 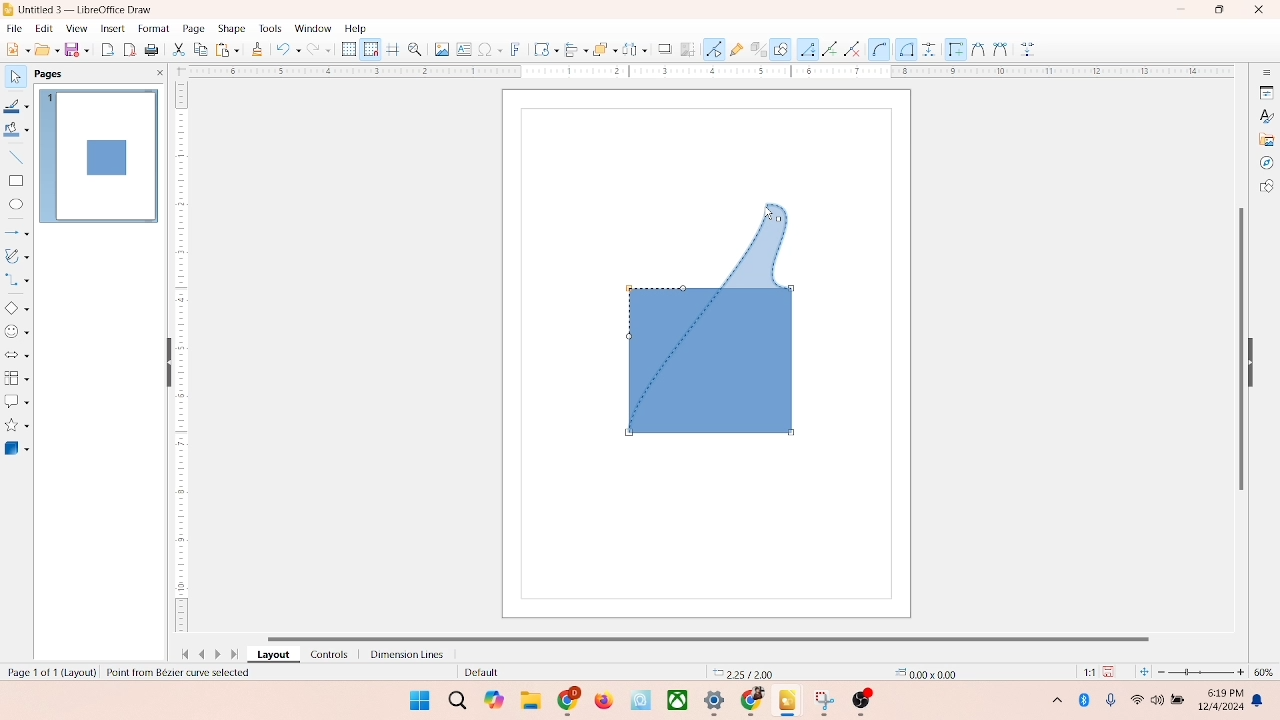 What do you see at coordinates (1202, 672) in the screenshot?
I see `zoom factor` at bounding box center [1202, 672].